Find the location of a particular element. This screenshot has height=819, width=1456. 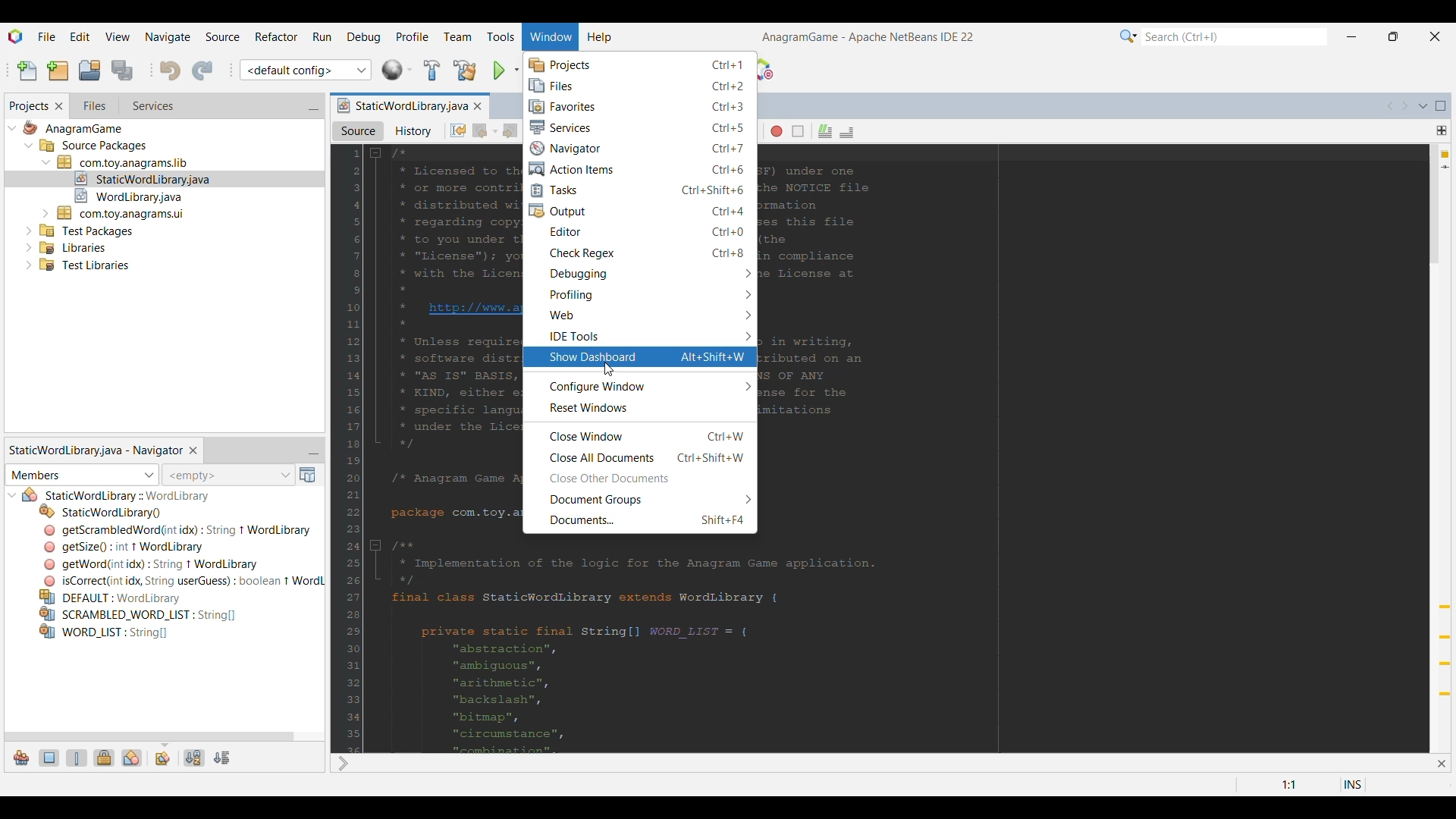

Save all is located at coordinates (124, 71).